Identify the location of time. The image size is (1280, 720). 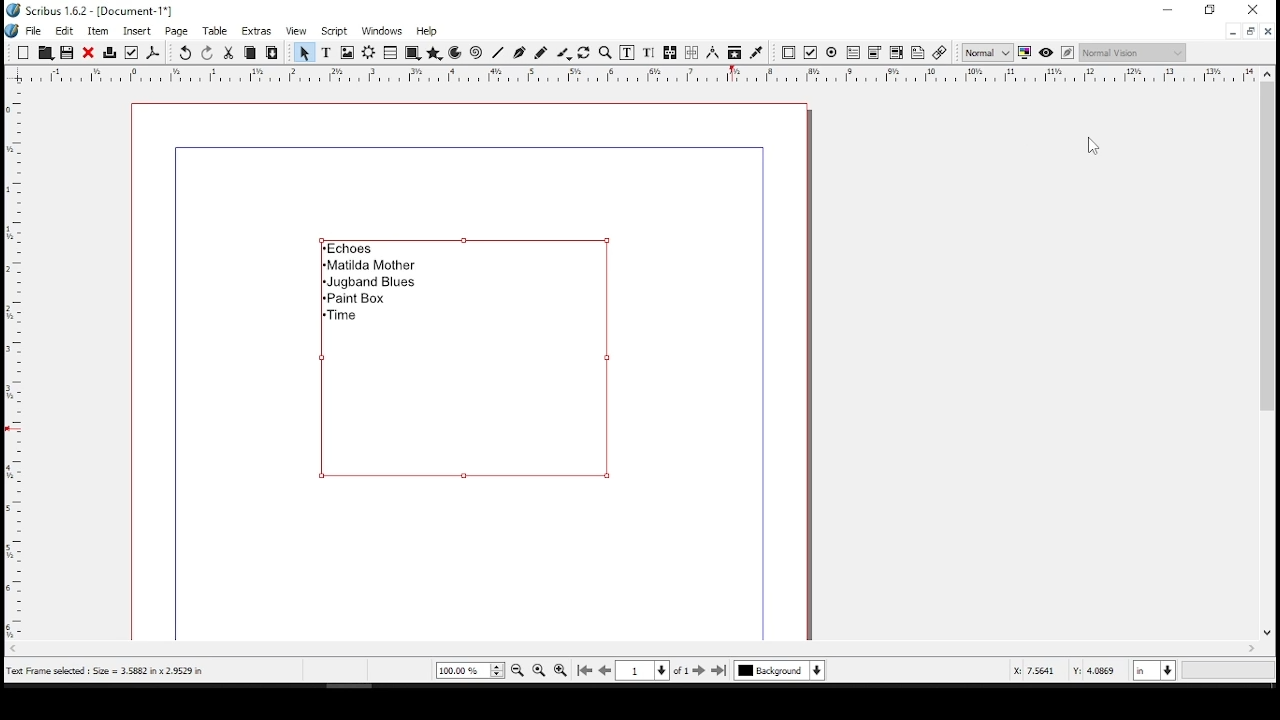
(343, 316).